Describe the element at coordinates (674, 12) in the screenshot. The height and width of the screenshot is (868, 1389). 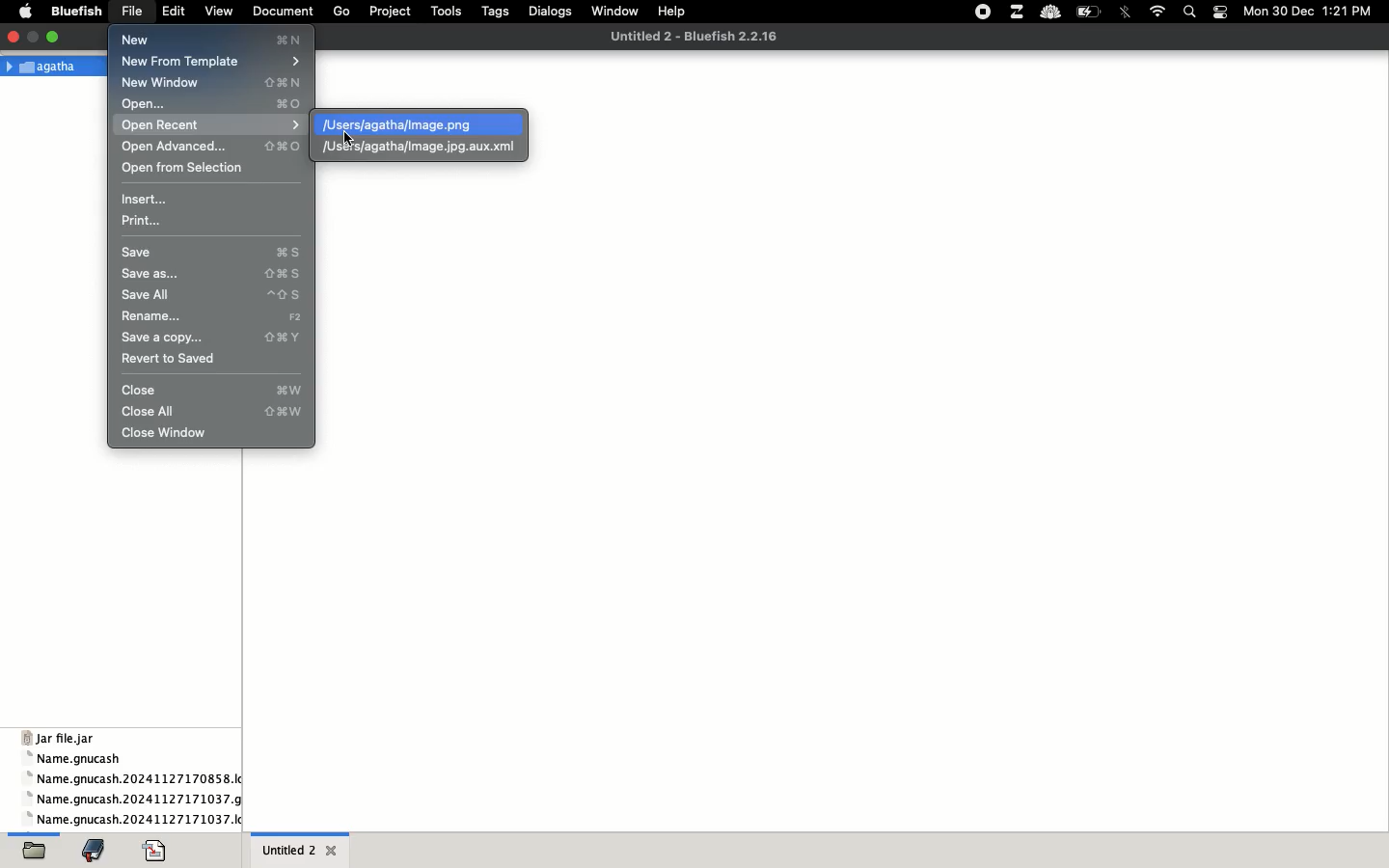
I see `help` at that location.